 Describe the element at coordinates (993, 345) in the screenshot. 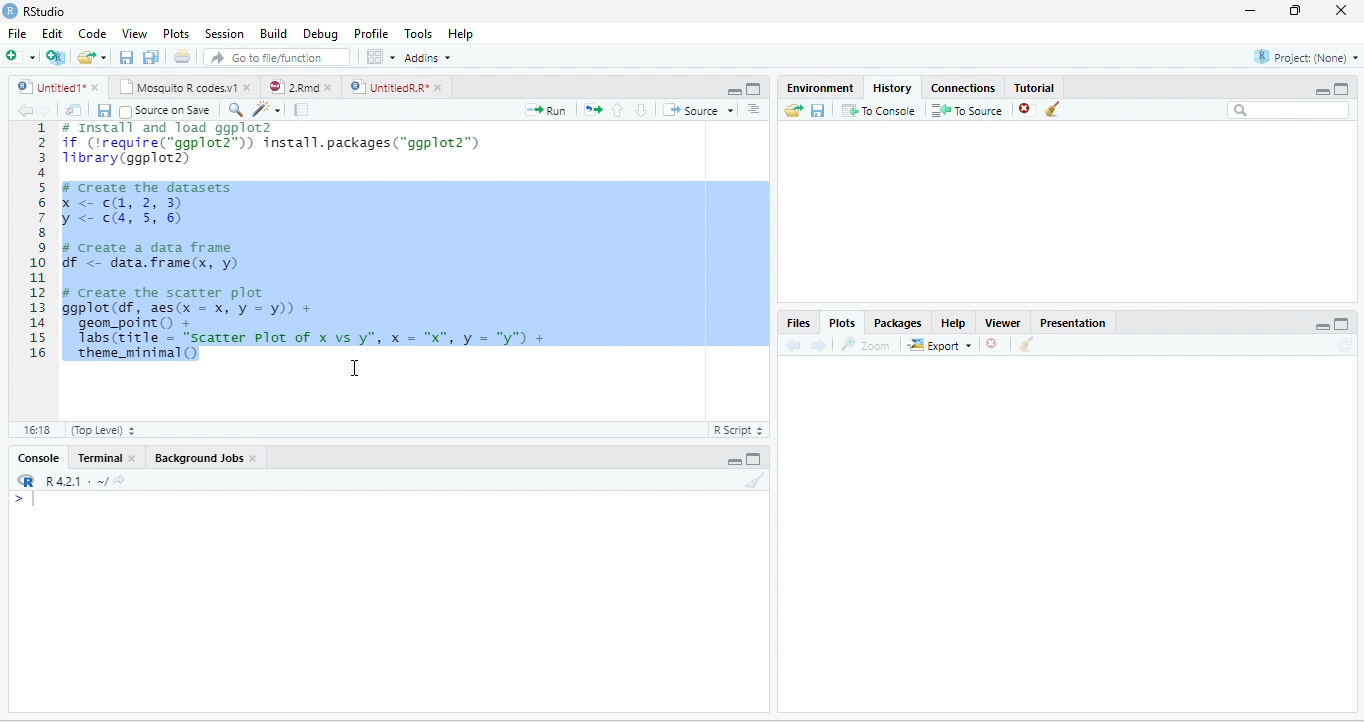

I see `Remove current plot` at that location.